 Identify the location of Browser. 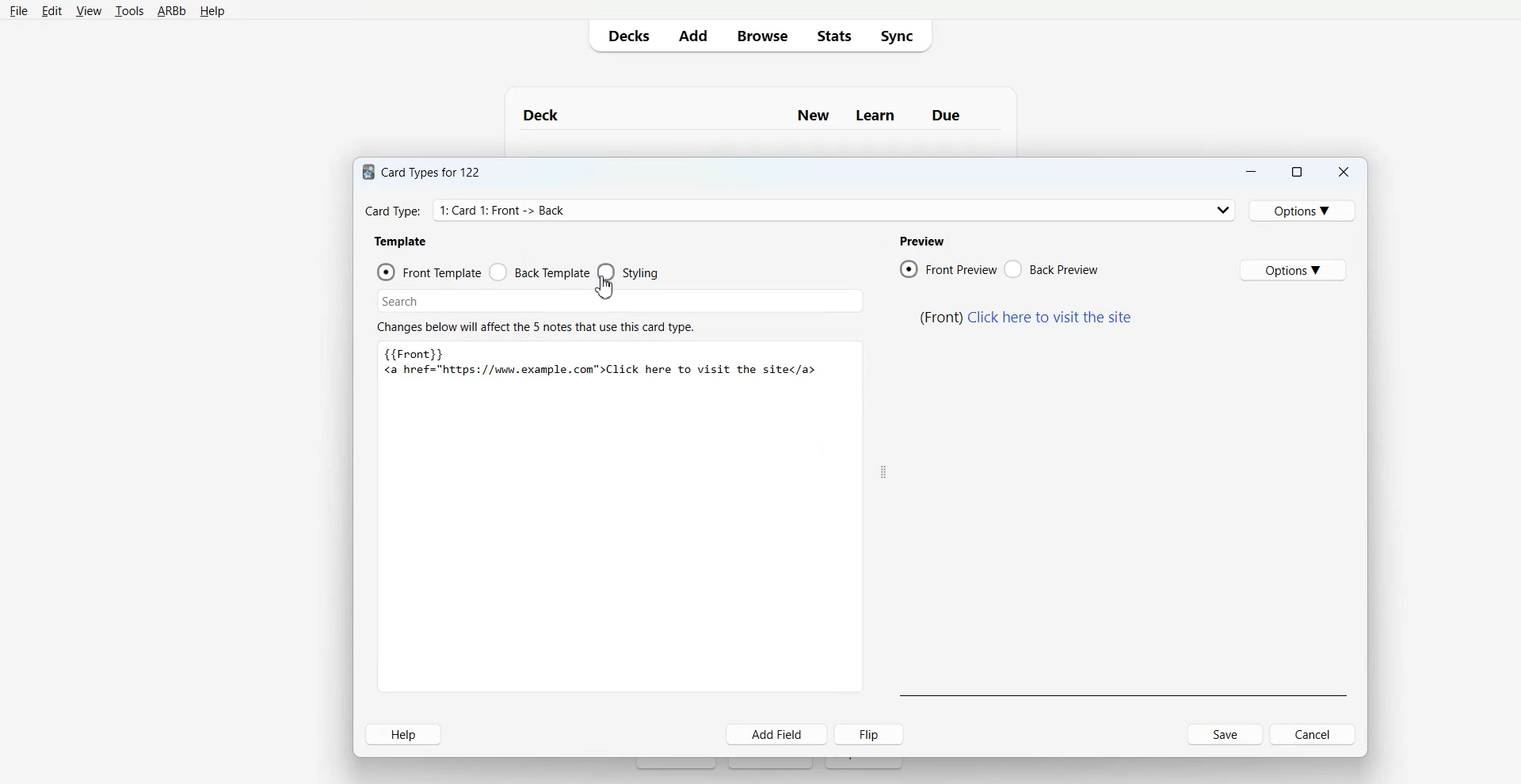
(760, 35).